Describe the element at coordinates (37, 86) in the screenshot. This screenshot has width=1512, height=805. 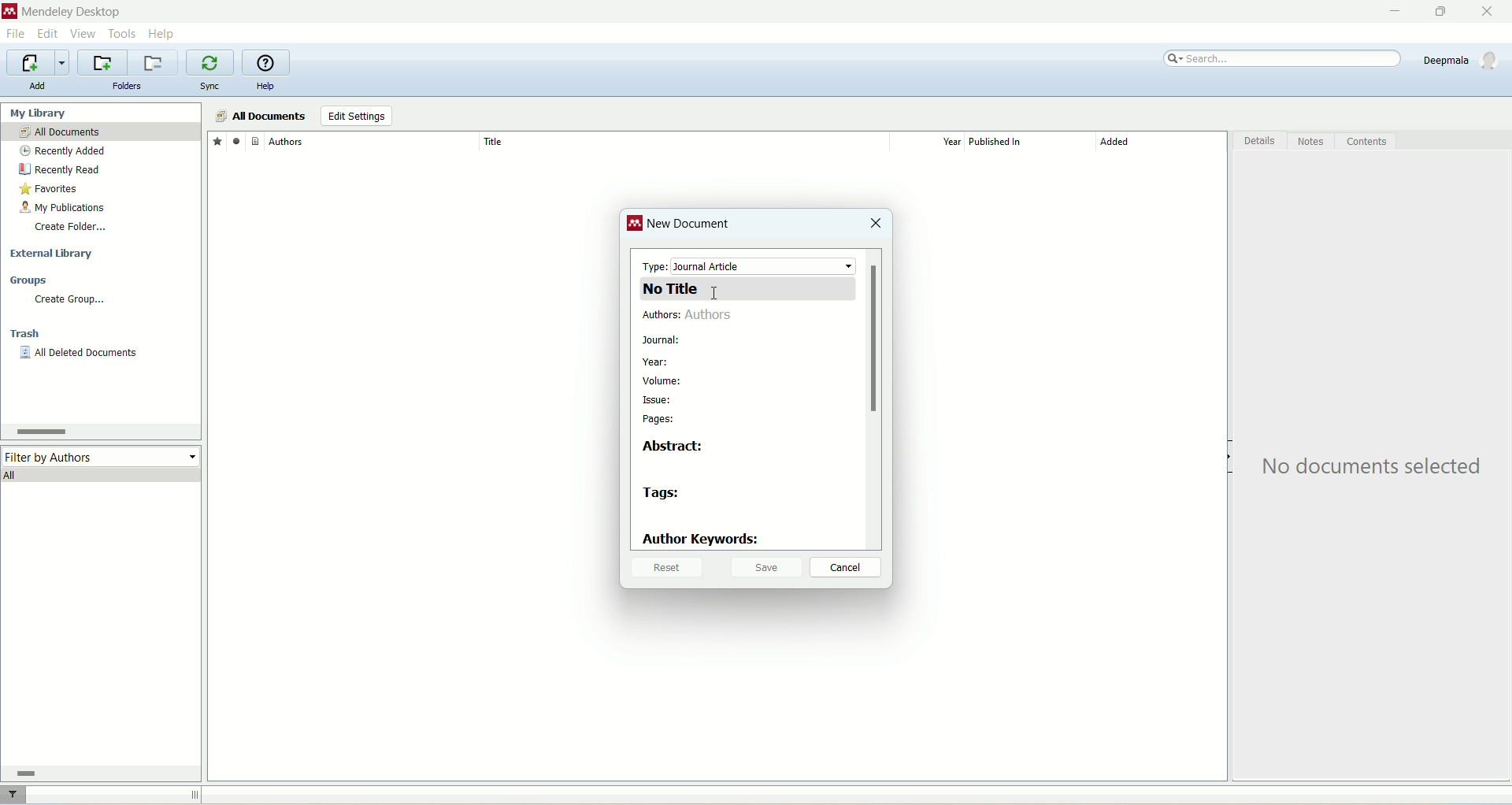
I see `add` at that location.